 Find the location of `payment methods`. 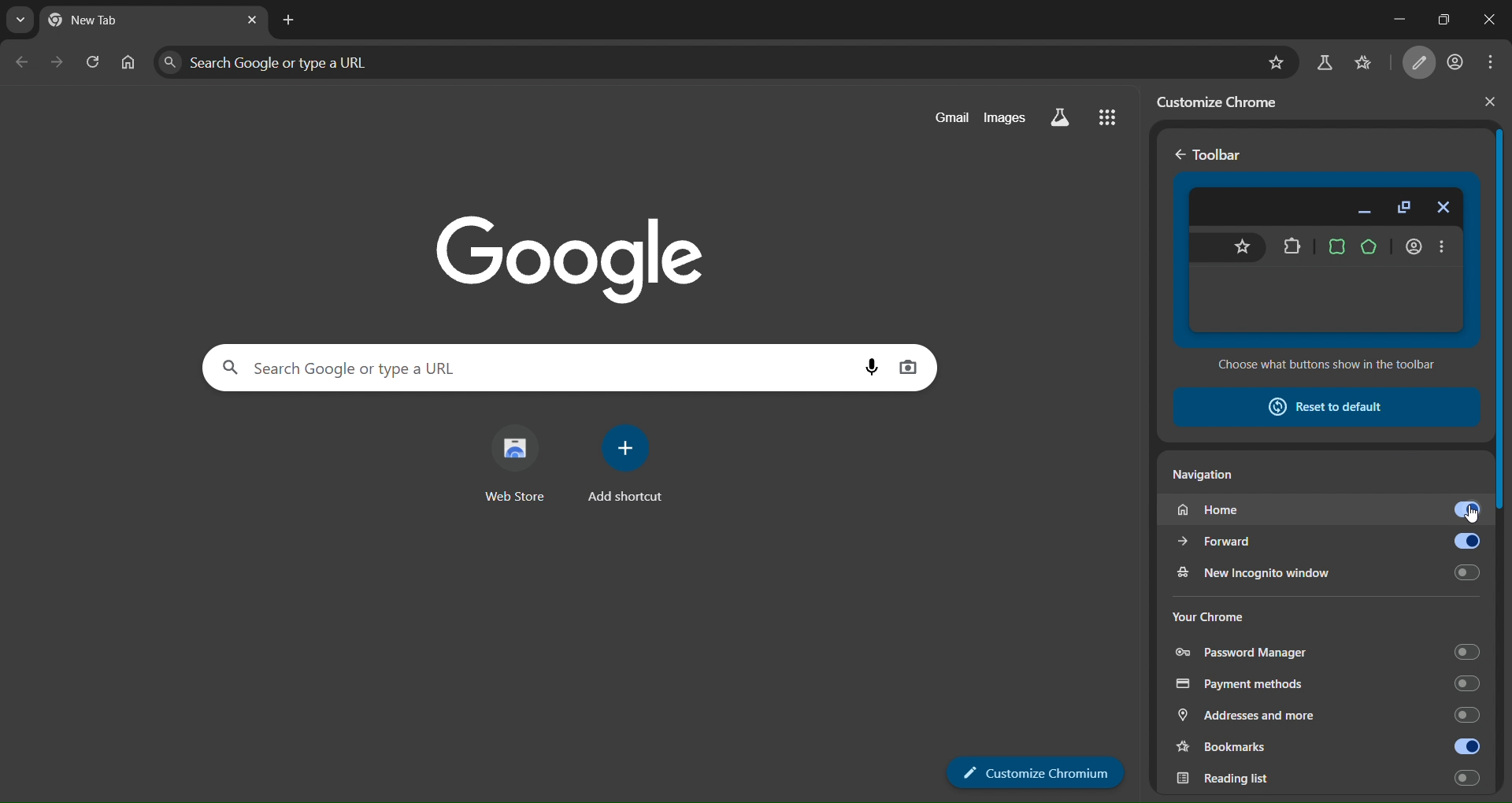

payment methods is located at coordinates (1325, 682).